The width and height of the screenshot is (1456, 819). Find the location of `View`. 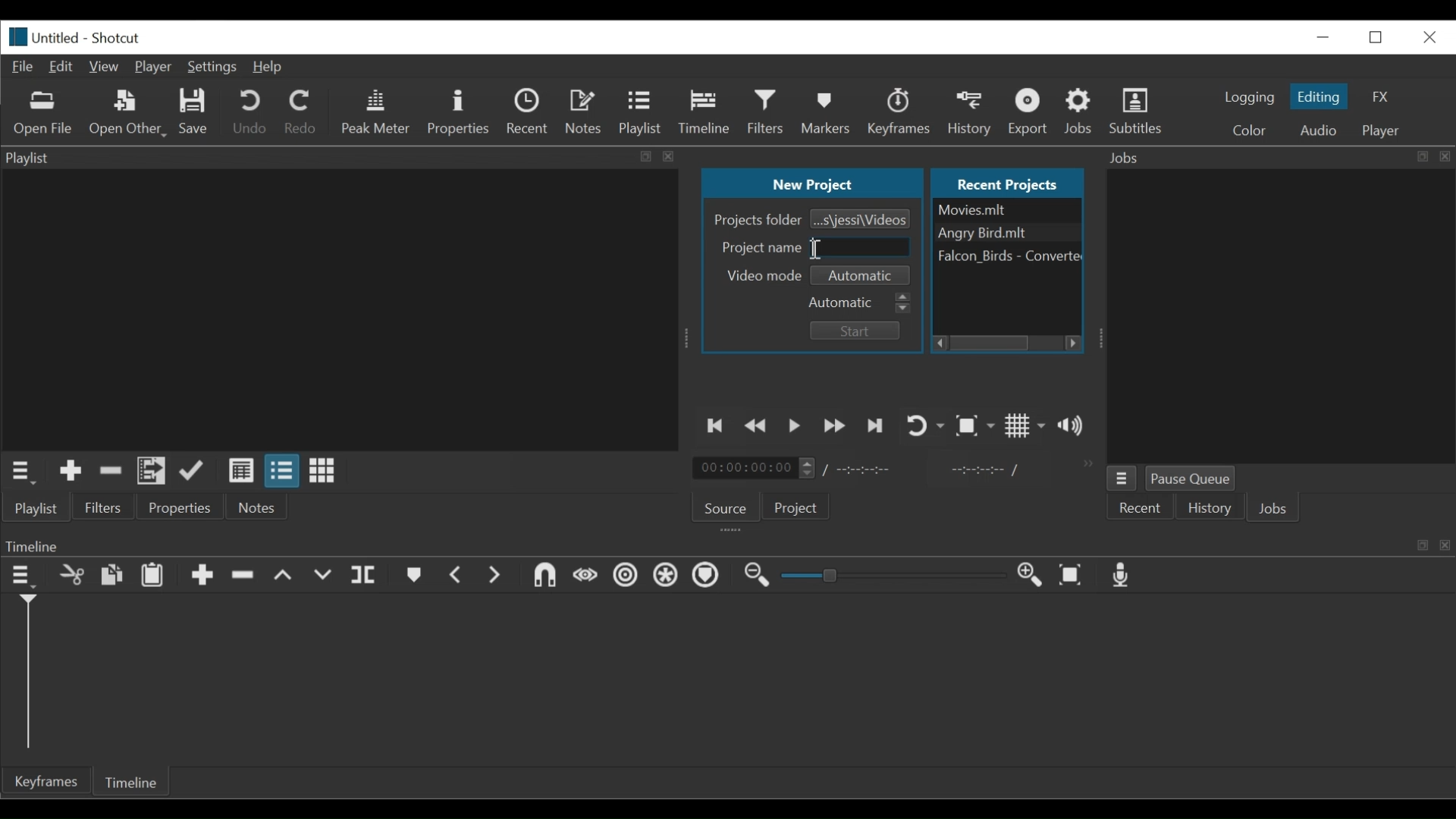

View is located at coordinates (103, 67).